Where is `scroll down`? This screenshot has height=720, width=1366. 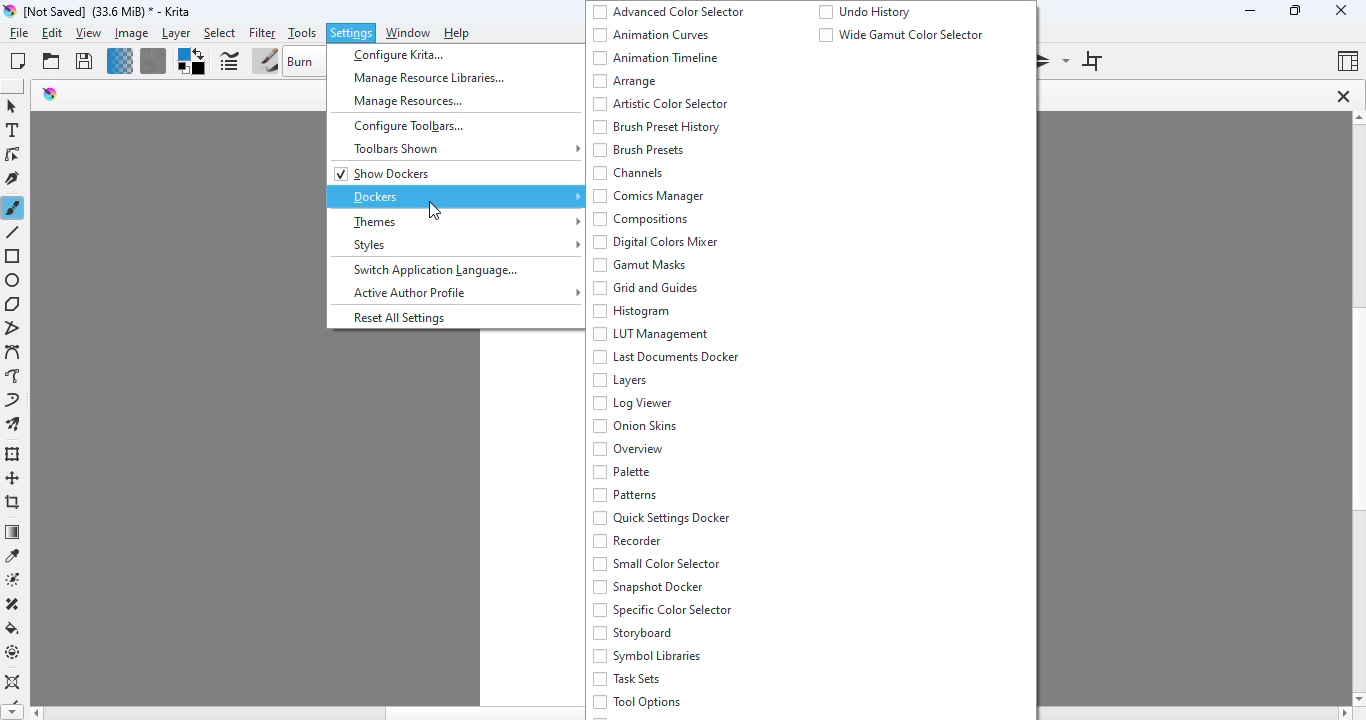 scroll down is located at coordinates (1357, 699).